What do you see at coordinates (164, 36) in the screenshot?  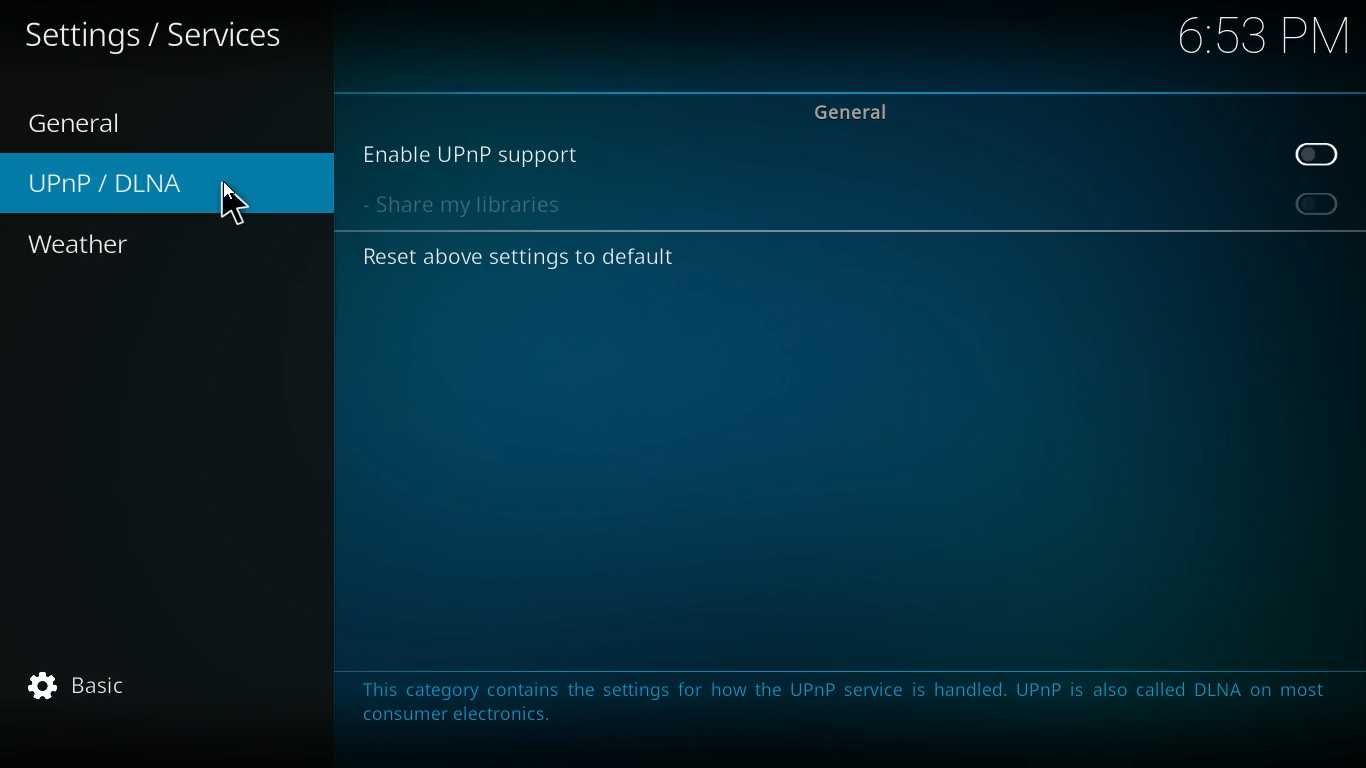 I see `Settings / Services` at bounding box center [164, 36].